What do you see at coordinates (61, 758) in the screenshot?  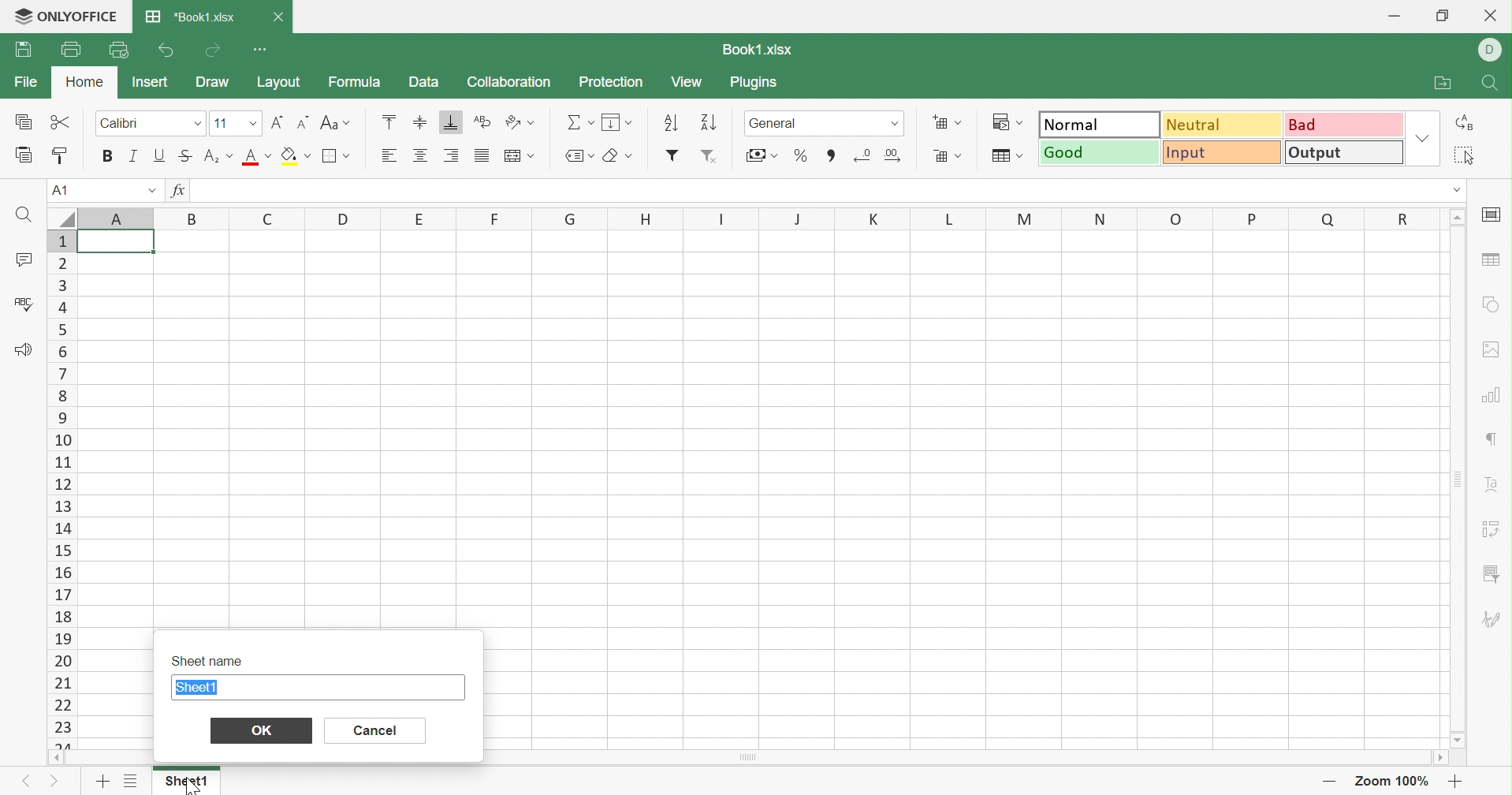 I see `Scroll left` at bounding box center [61, 758].